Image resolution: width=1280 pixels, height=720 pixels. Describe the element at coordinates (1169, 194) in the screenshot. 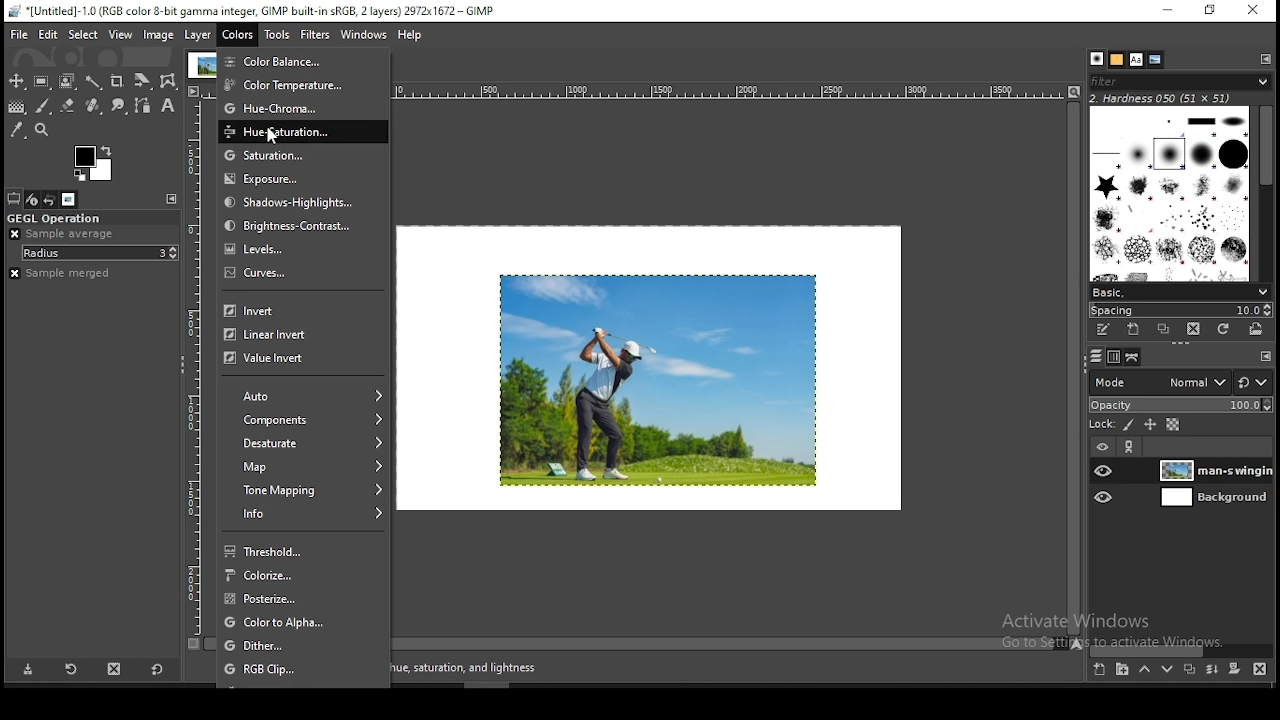

I see `brushes` at that location.